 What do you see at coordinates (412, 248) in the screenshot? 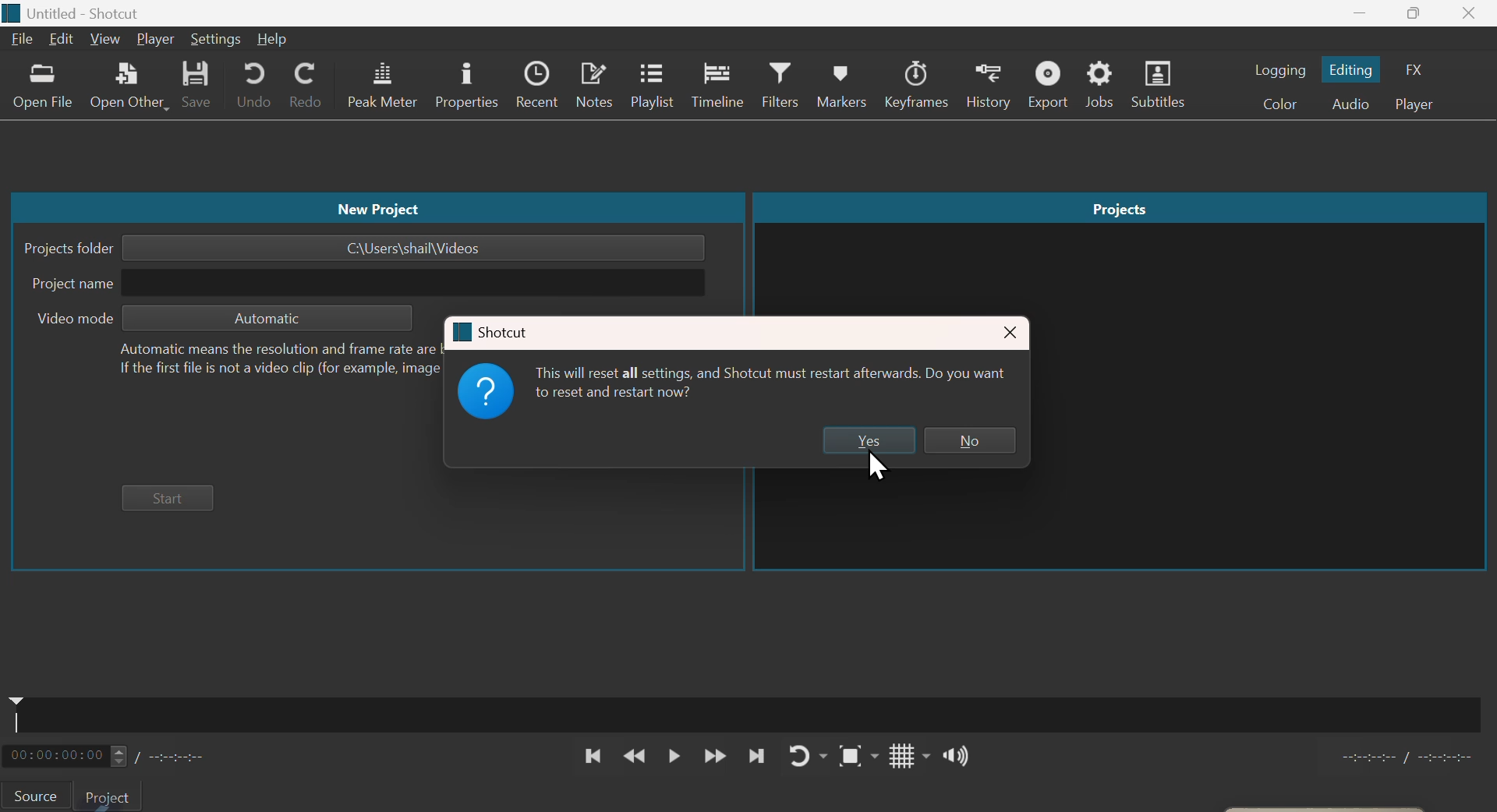
I see `C:\Users\shail\Videos` at bounding box center [412, 248].